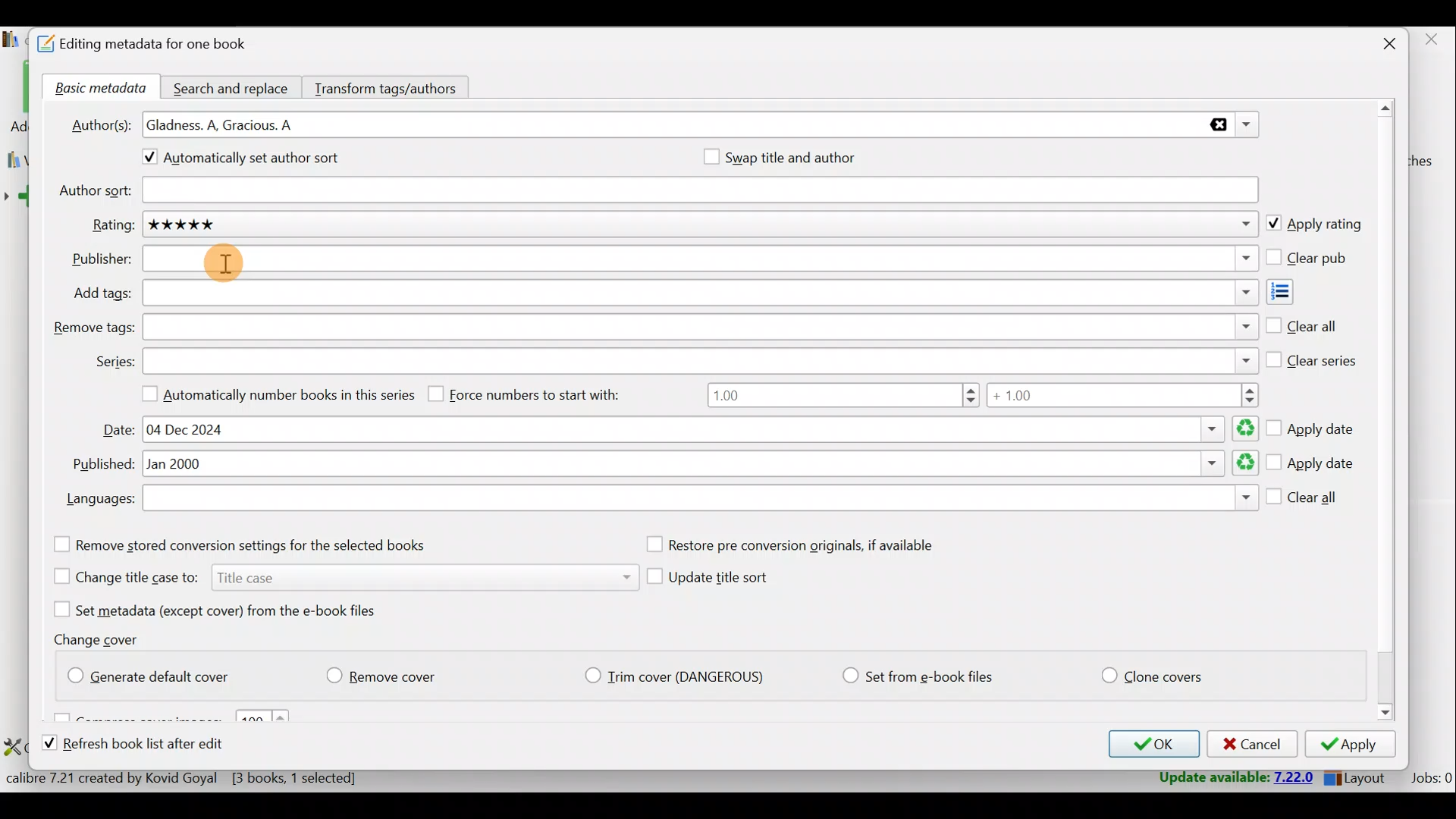 This screenshot has width=1456, height=819. Describe the element at coordinates (1234, 778) in the screenshot. I see `Update` at that location.